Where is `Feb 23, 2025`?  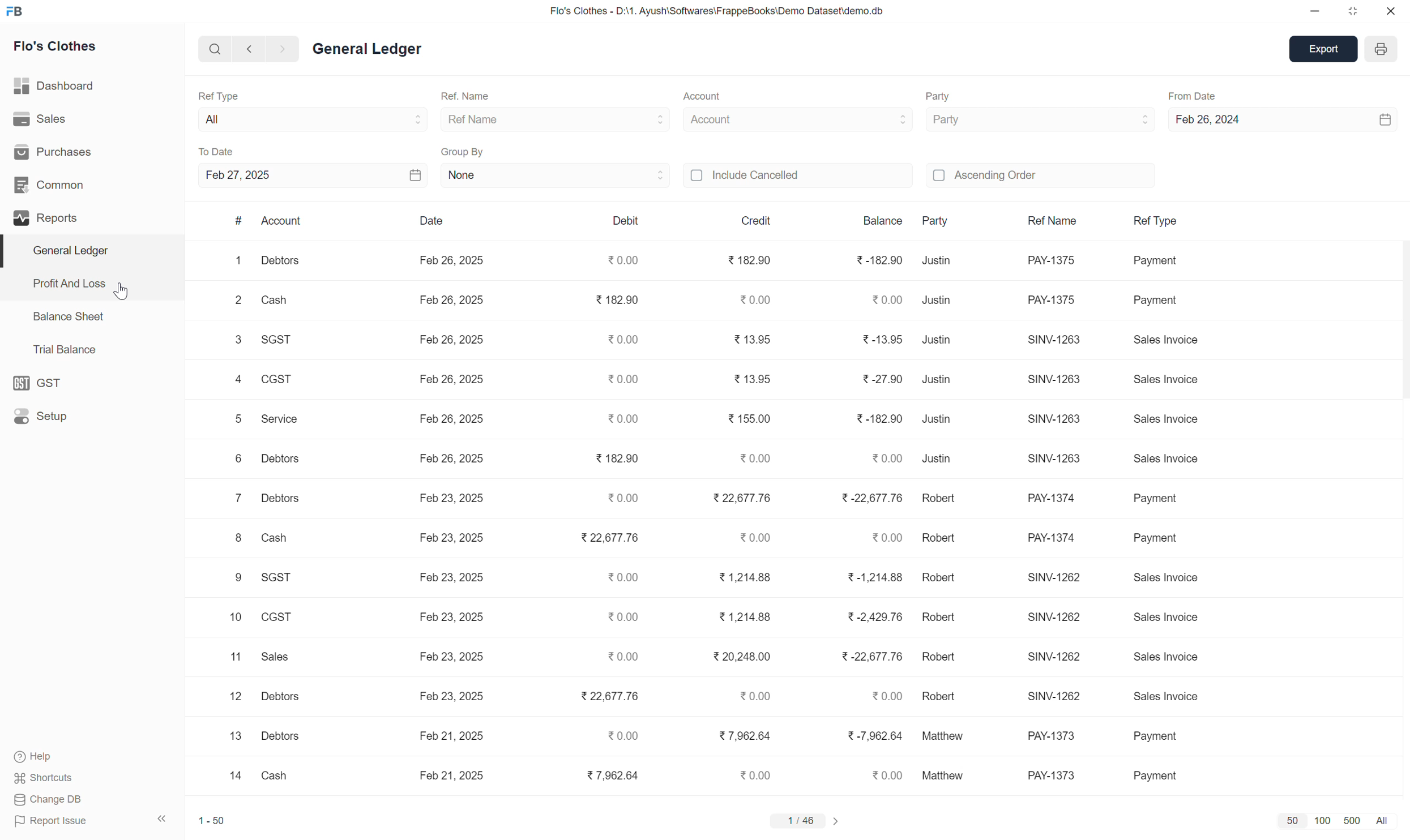
Feb 23, 2025 is located at coordinates (451, 498).